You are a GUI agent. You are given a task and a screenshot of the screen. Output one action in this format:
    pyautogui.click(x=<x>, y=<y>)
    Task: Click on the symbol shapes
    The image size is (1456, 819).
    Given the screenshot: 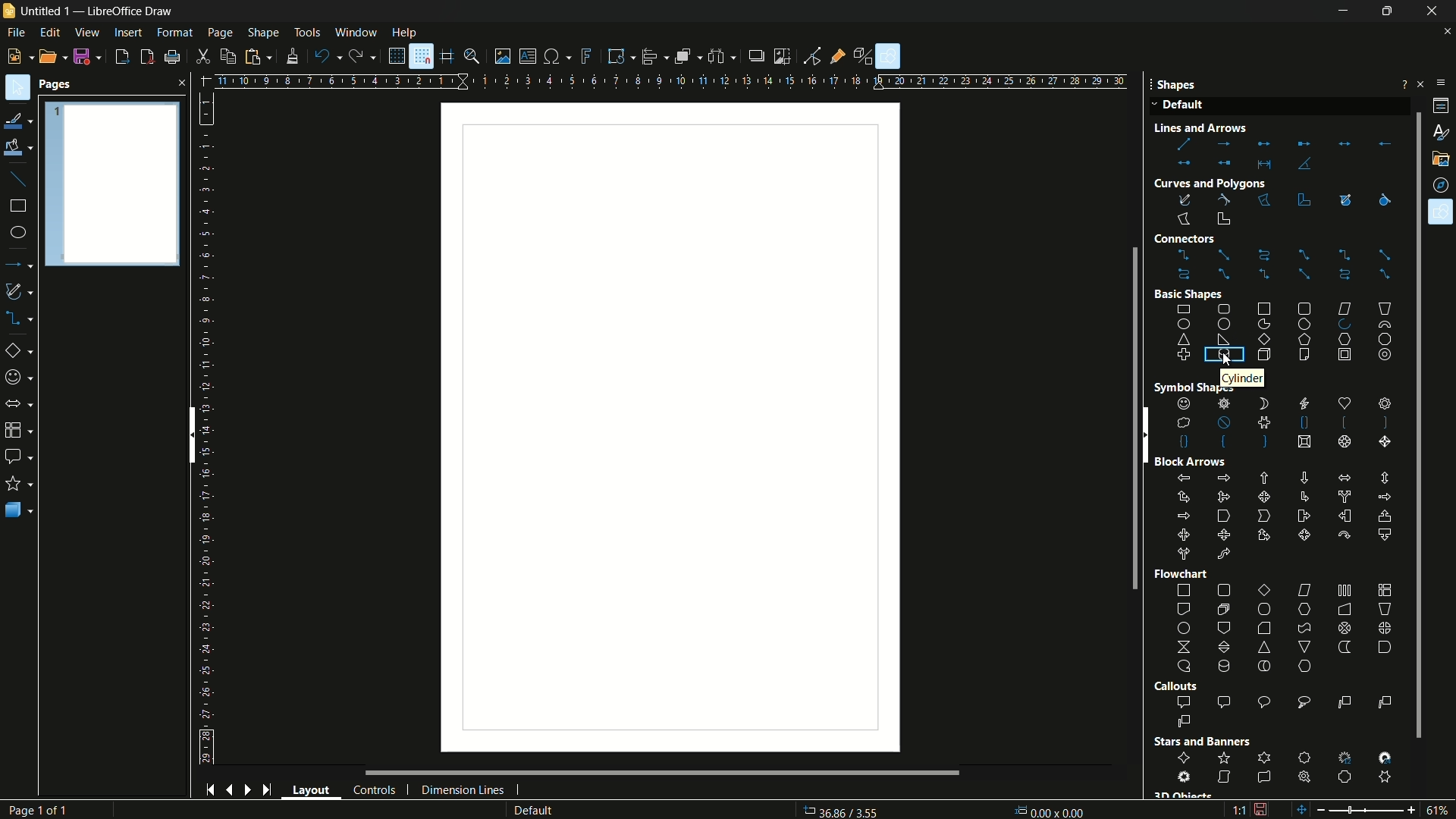 What is the action you would take?
    pyautogui.click(x=20, y=378)
    